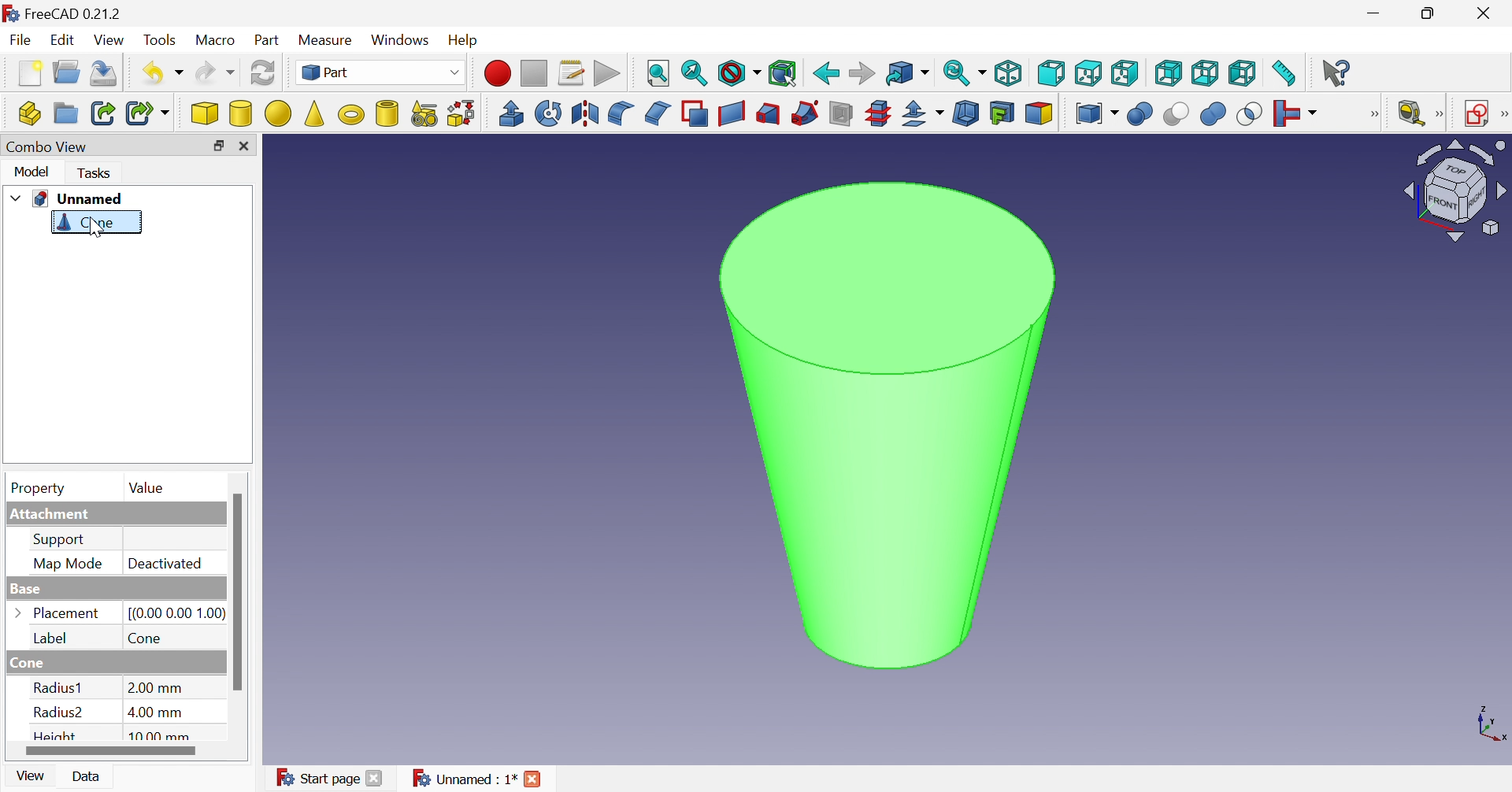 The height and width of the screenshot is (792, 1512). What do you see at coordinates (162, 74) in the screenshot?
I see `Undo` at bounding box center [162, 74].